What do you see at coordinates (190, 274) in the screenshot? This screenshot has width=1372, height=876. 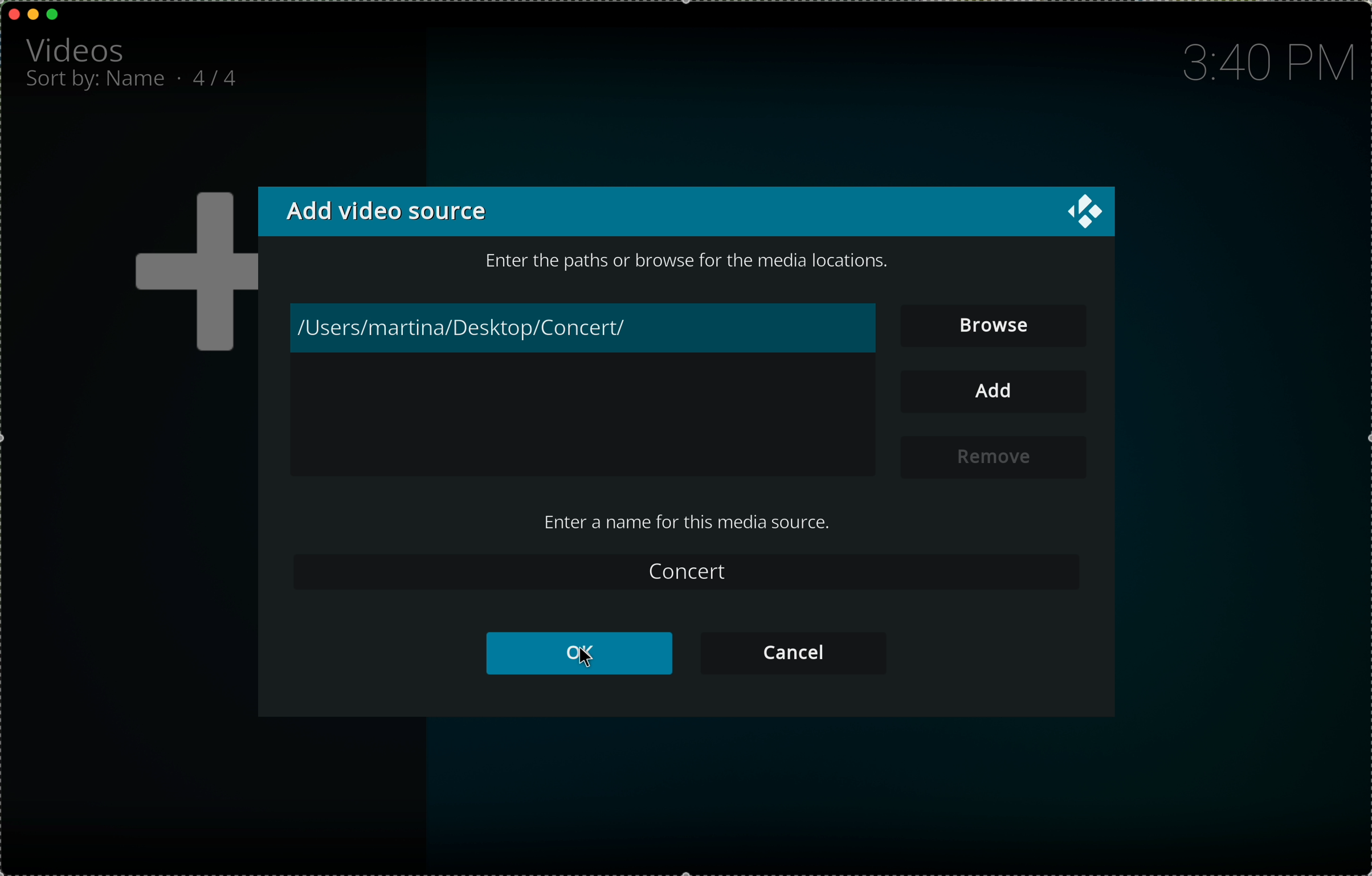 I see `plus icon` at bounding box center [190, 274].